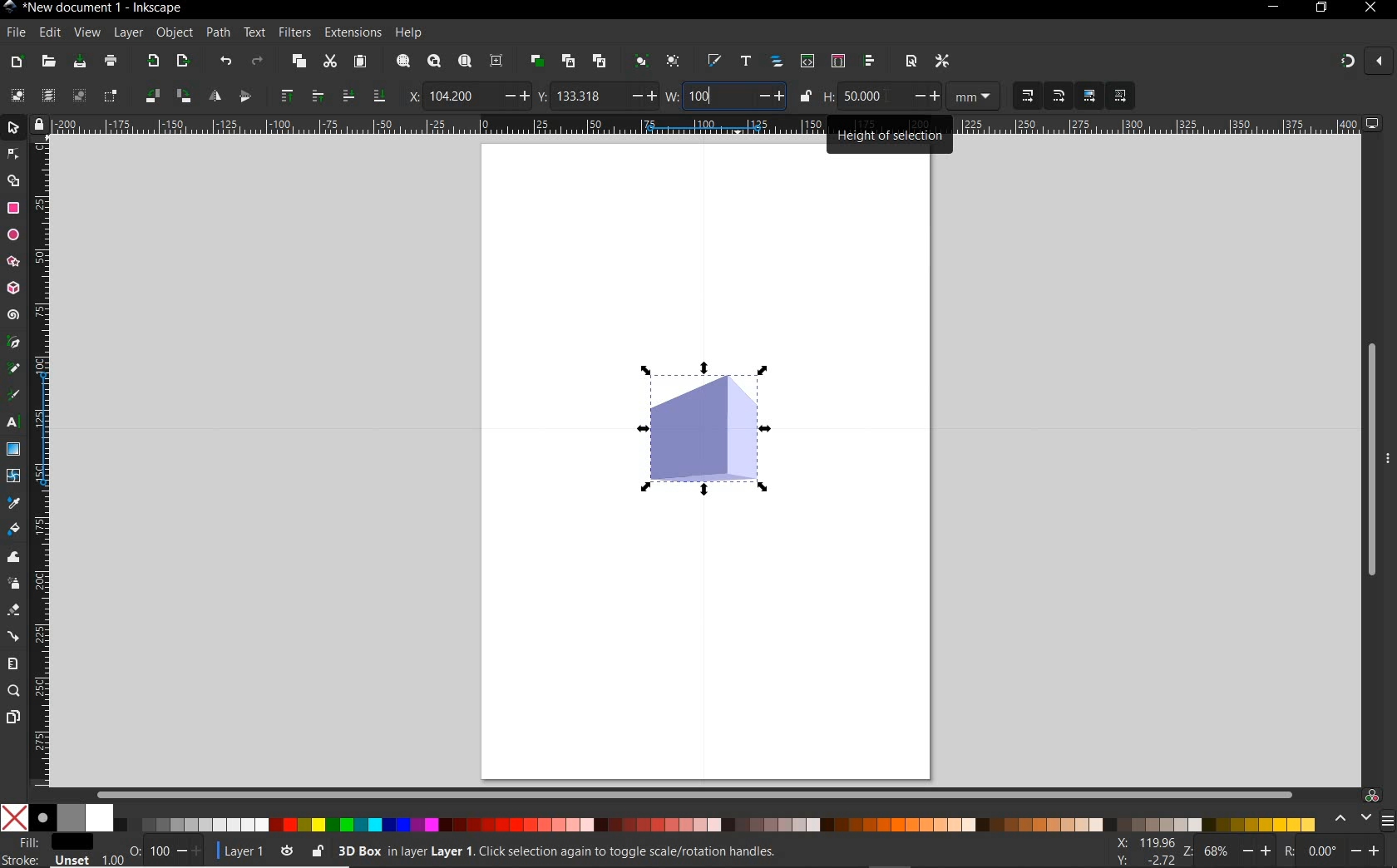 The height and width of the screenshot is (868, 1397). Describe the element at coordinates (641, 96) in the screenshot. I see `increase/decrease` at that location.